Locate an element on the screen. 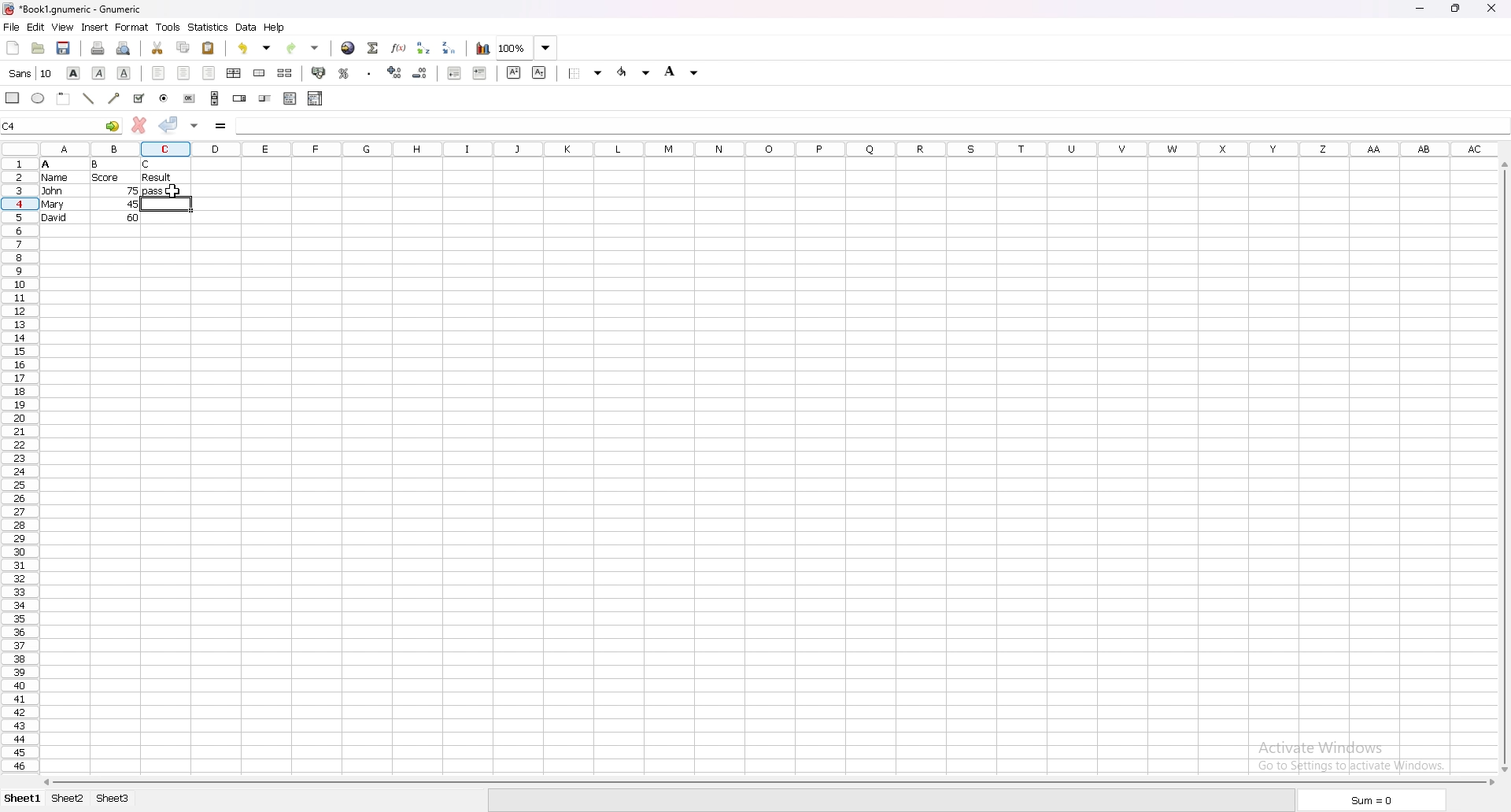 This screenshot has height=812, width=1511. summation is located at coordinates (374, 49).